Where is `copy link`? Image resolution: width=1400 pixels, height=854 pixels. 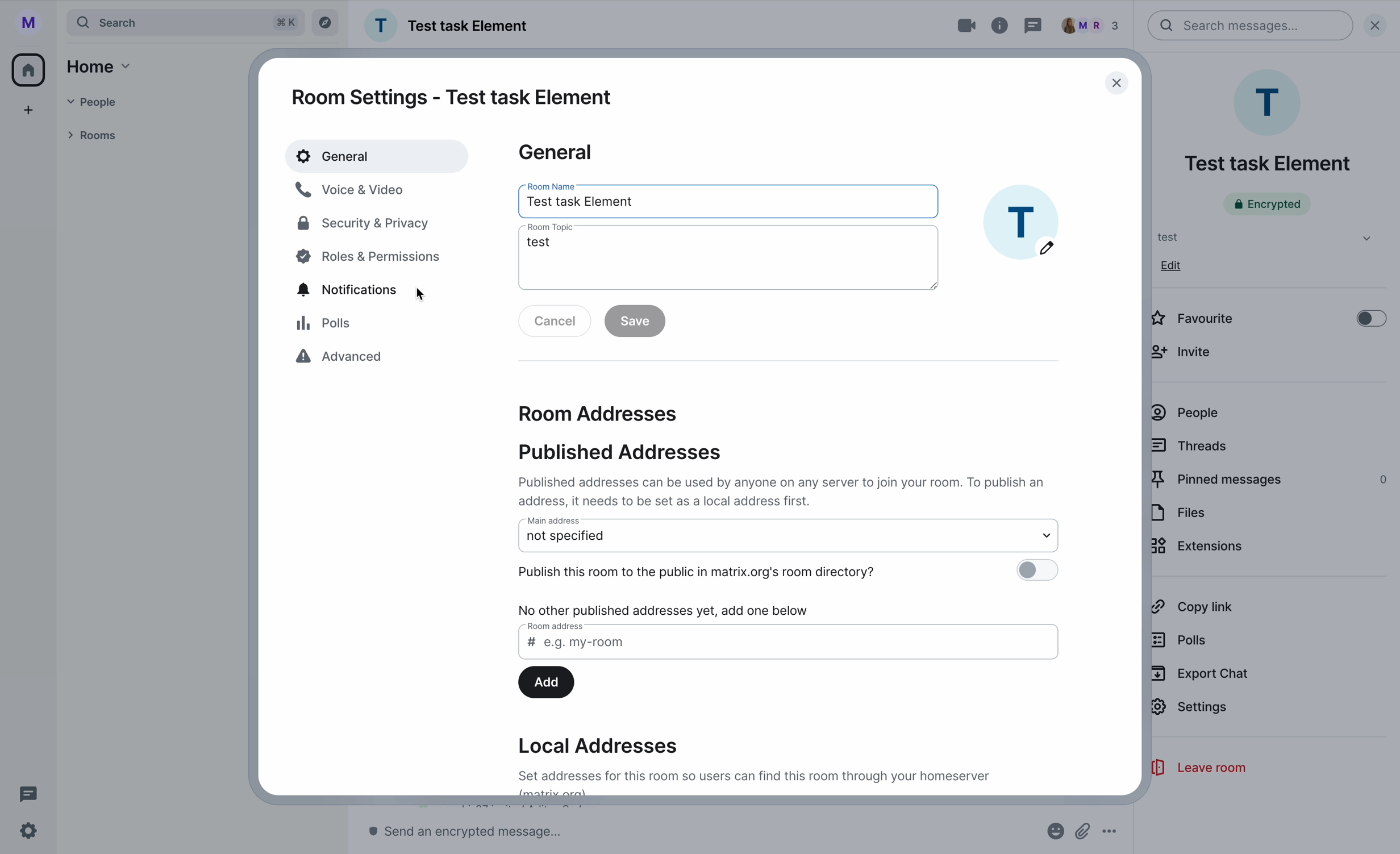 copy link is located at coordinates (1191, 607).